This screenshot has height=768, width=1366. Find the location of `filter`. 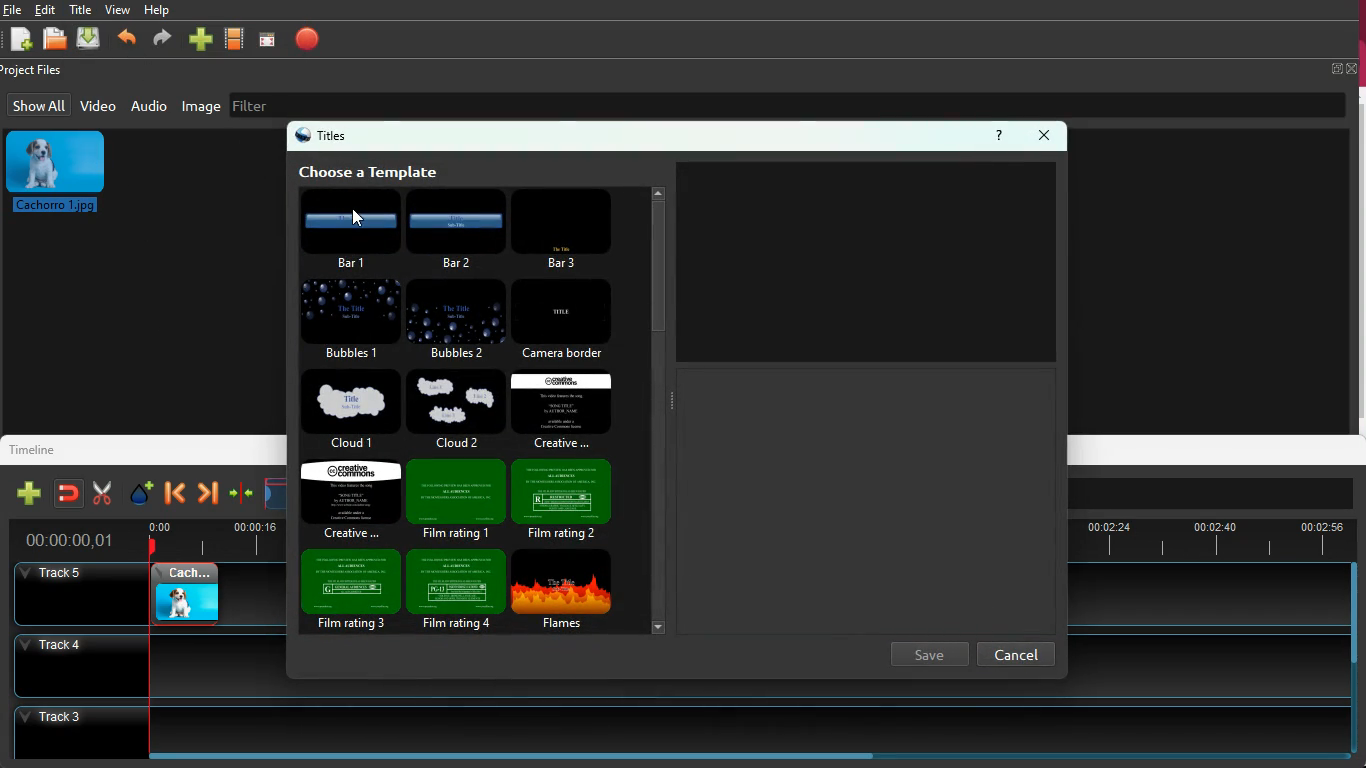

filter is located at coordinates (359, 103).